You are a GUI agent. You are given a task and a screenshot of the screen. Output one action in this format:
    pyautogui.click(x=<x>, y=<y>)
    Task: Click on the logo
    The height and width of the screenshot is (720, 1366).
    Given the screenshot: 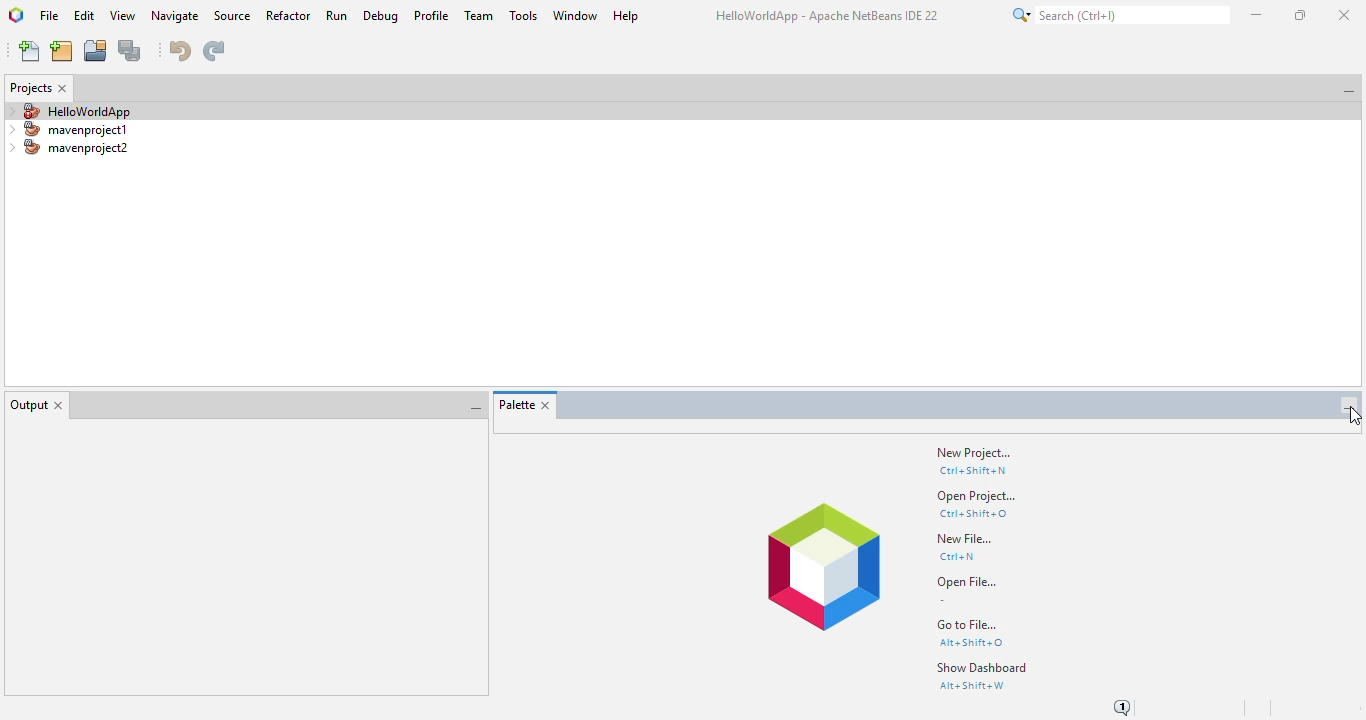 What is the action you would take?
    pyautogui.click(x=16, y=15)
    